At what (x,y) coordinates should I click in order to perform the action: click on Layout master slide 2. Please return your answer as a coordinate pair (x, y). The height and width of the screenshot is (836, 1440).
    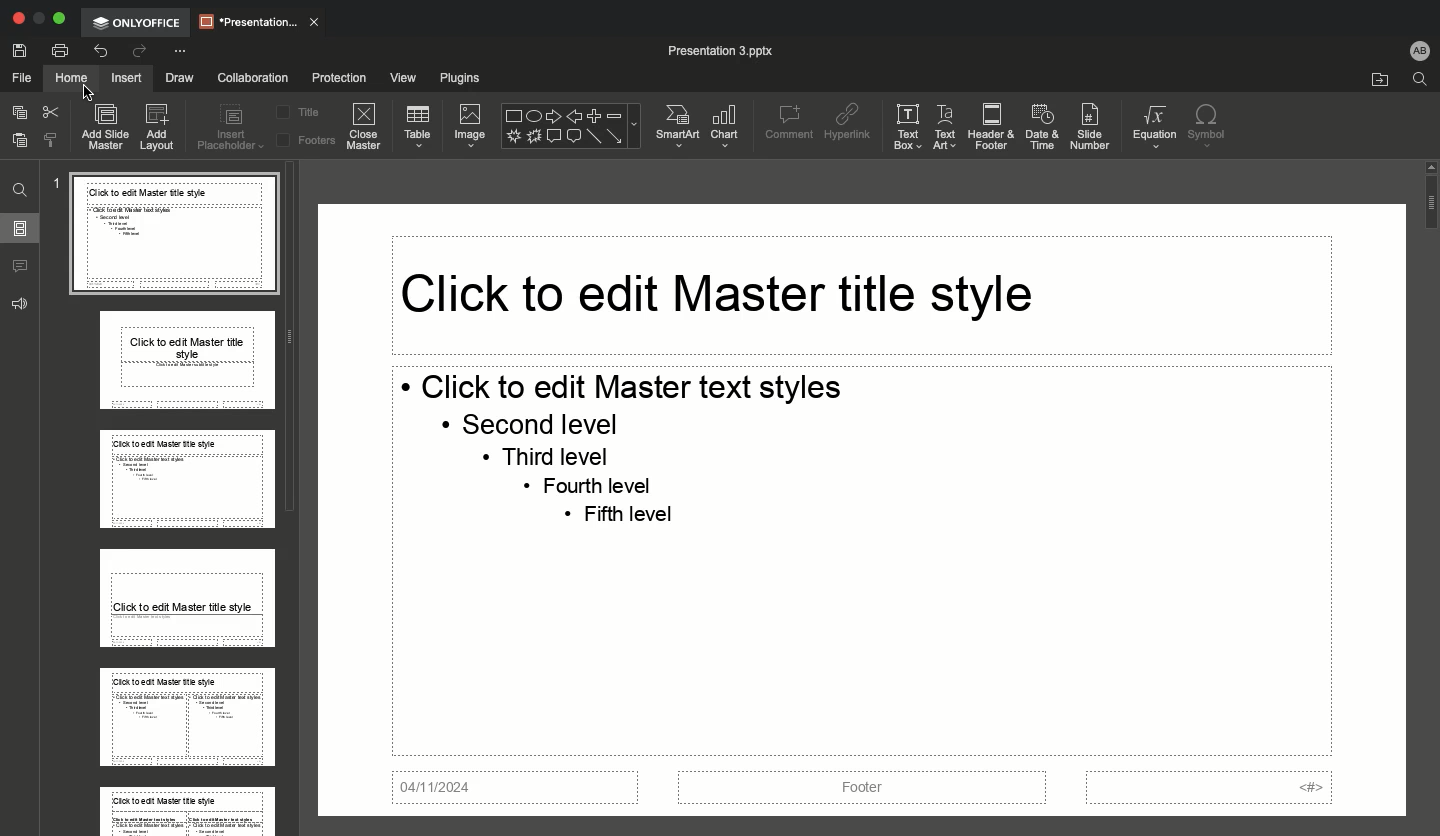
    Looking at the image, I should click on (188, 364).